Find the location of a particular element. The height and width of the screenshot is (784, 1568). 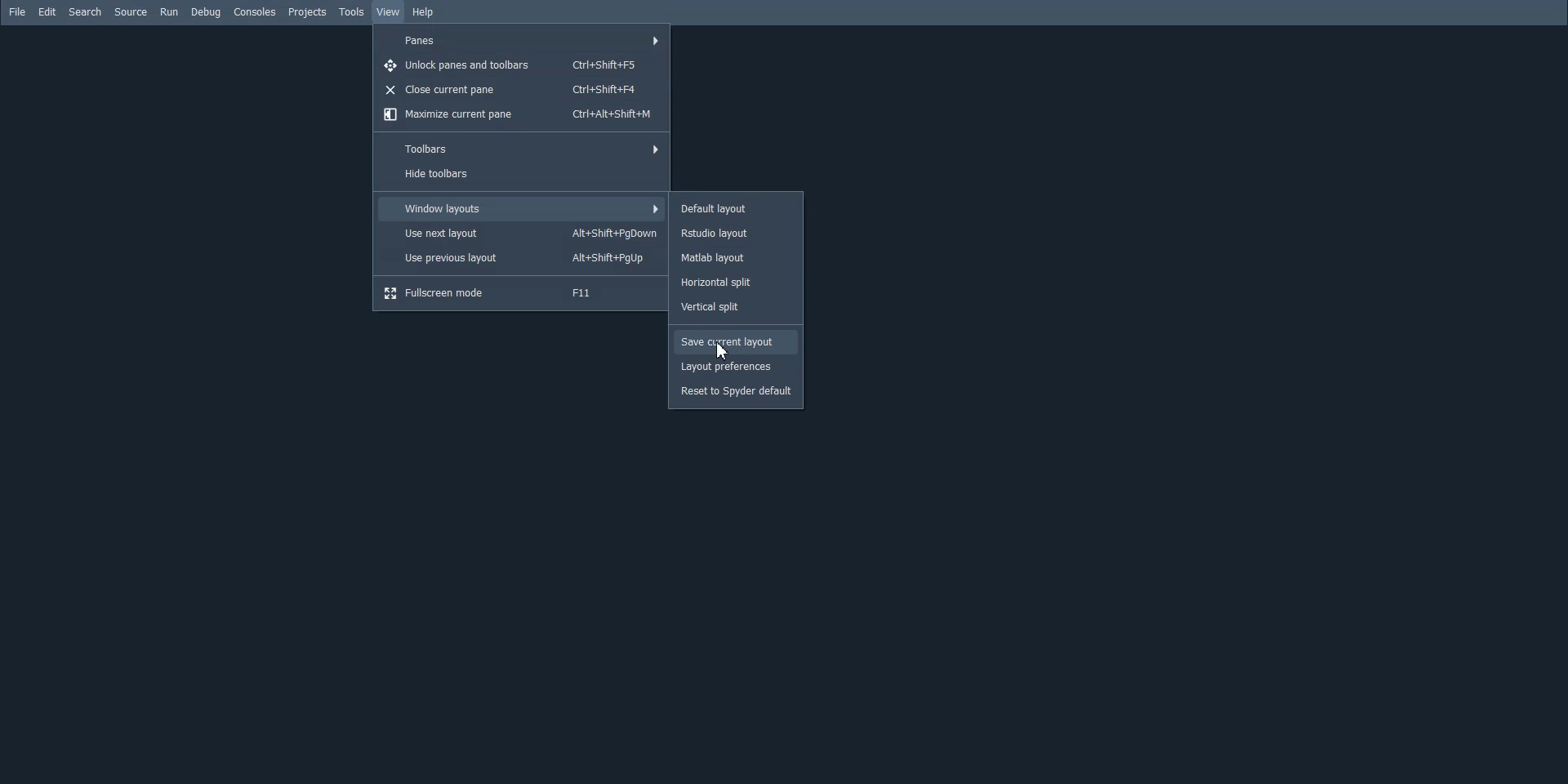

Window layout is located at coordinates (521, 208).